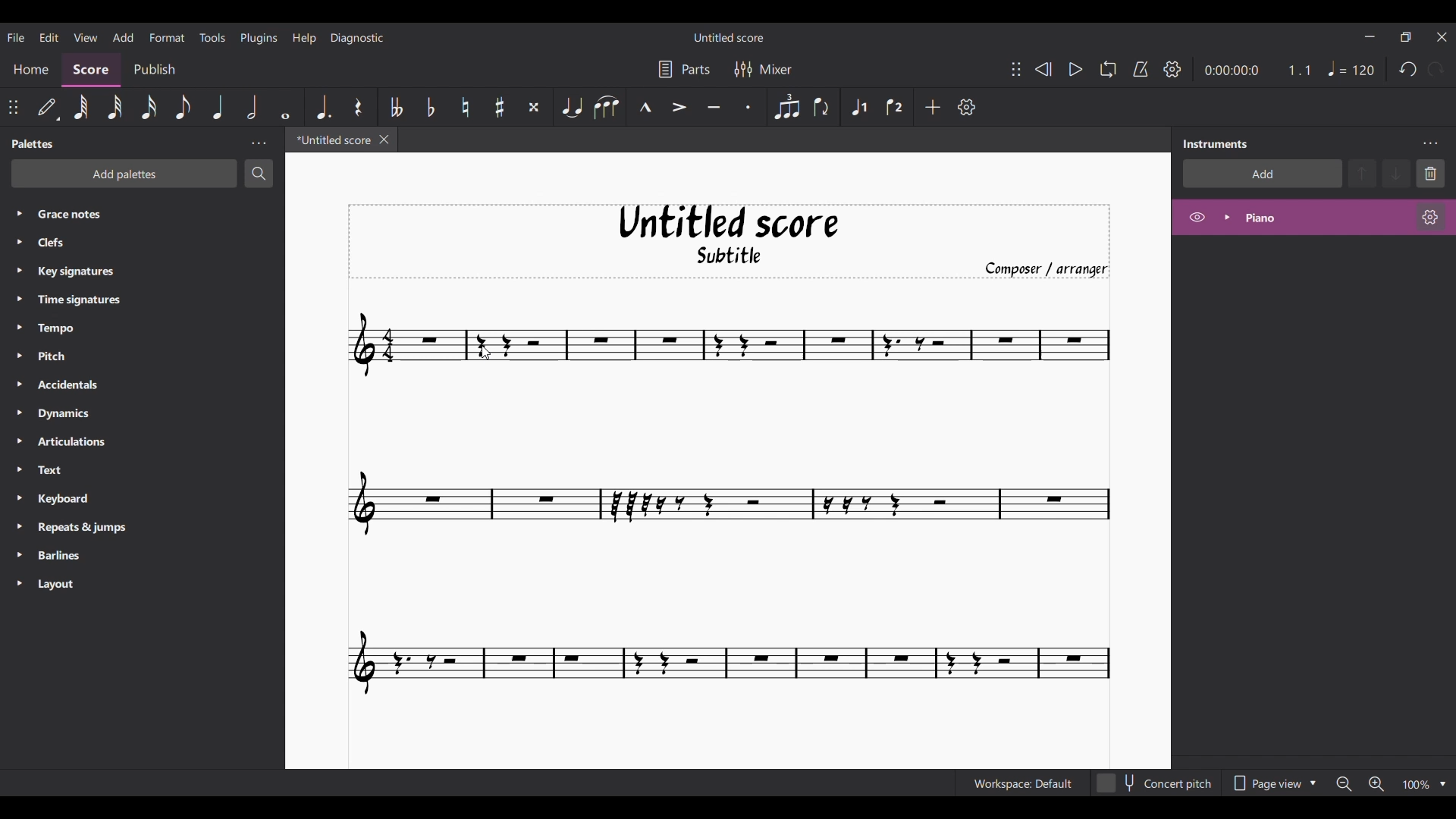 The image size is (1456, 819). I want to click on Undo, so click(1407, 70).